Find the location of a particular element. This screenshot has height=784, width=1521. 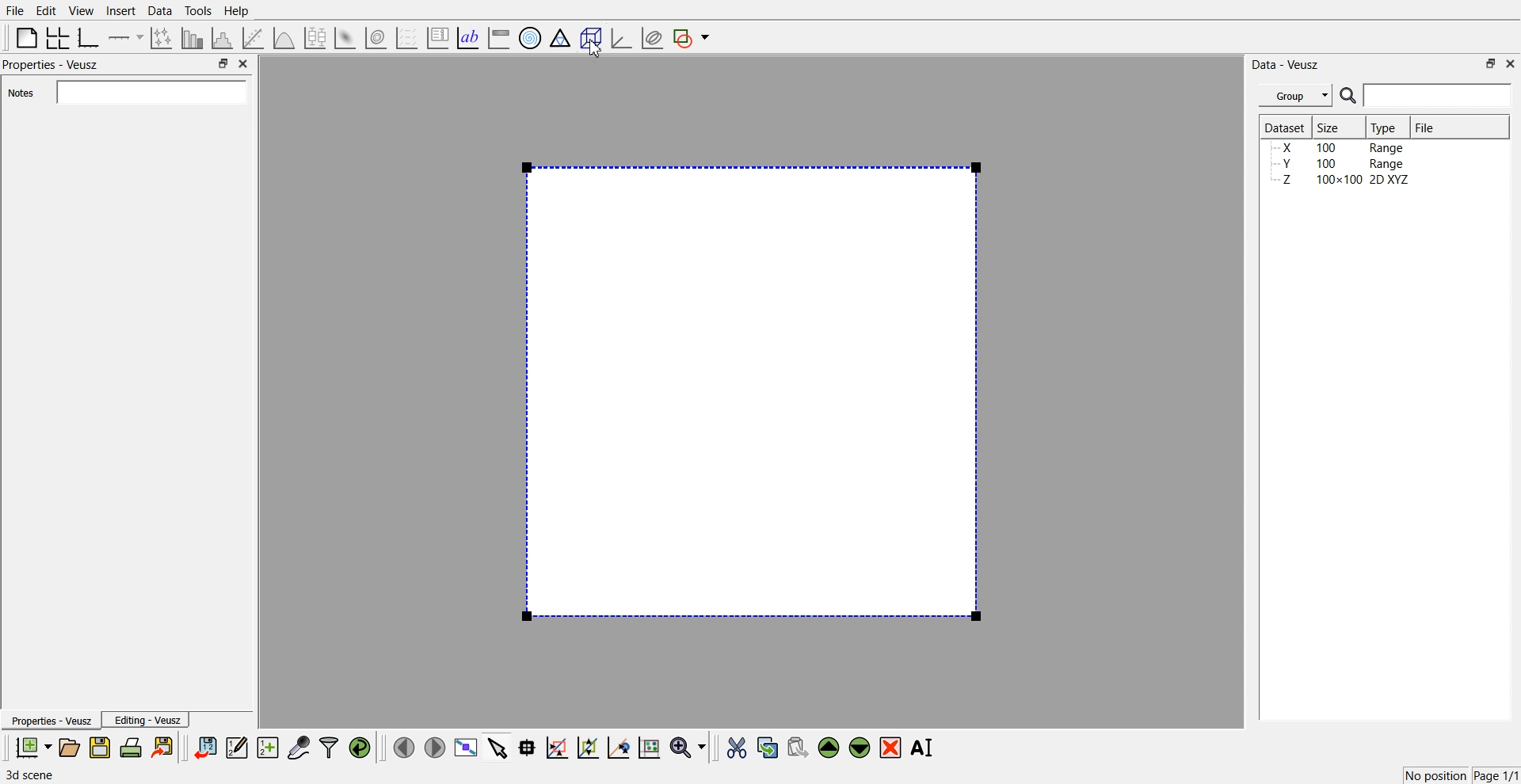

Filter dataset is located at coordinates (329, 747).